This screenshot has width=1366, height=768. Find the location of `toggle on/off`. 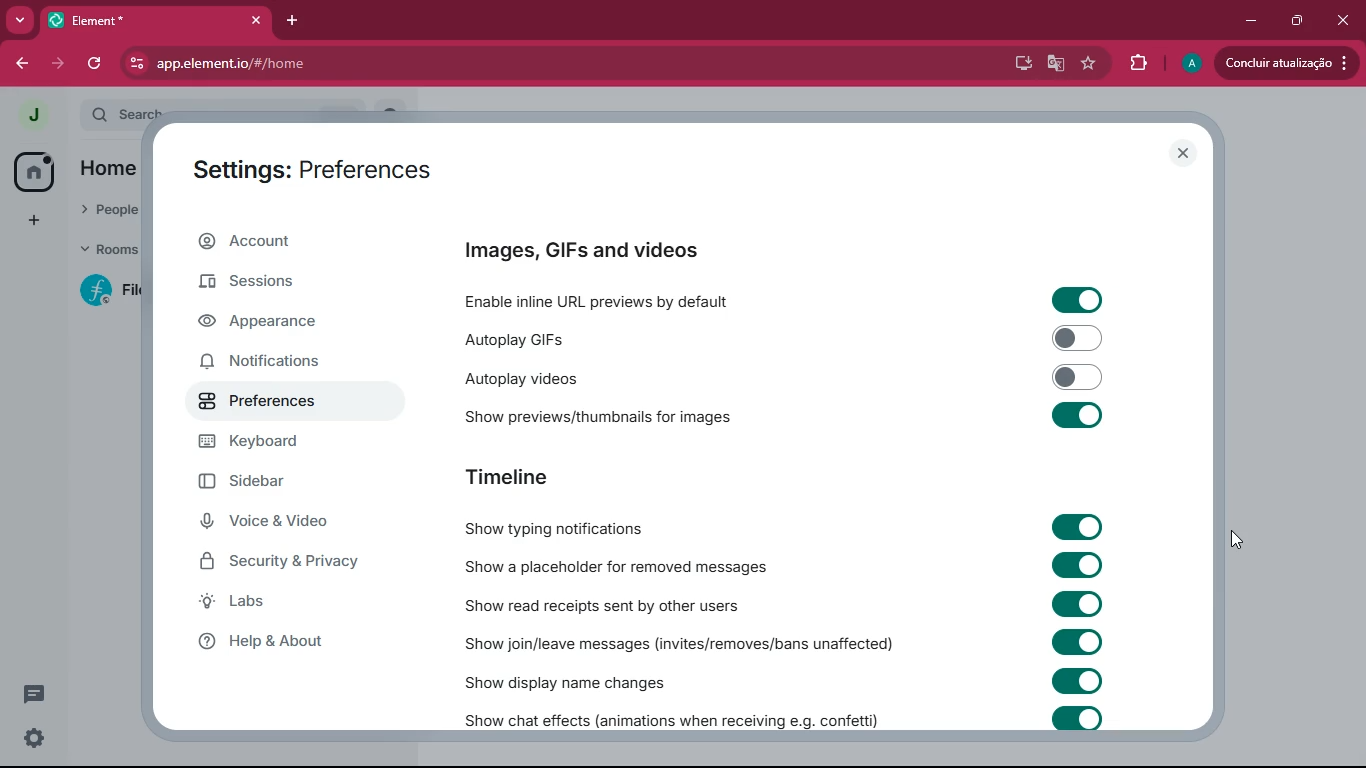

toggle on/off is located at coordinates (1079, 680).